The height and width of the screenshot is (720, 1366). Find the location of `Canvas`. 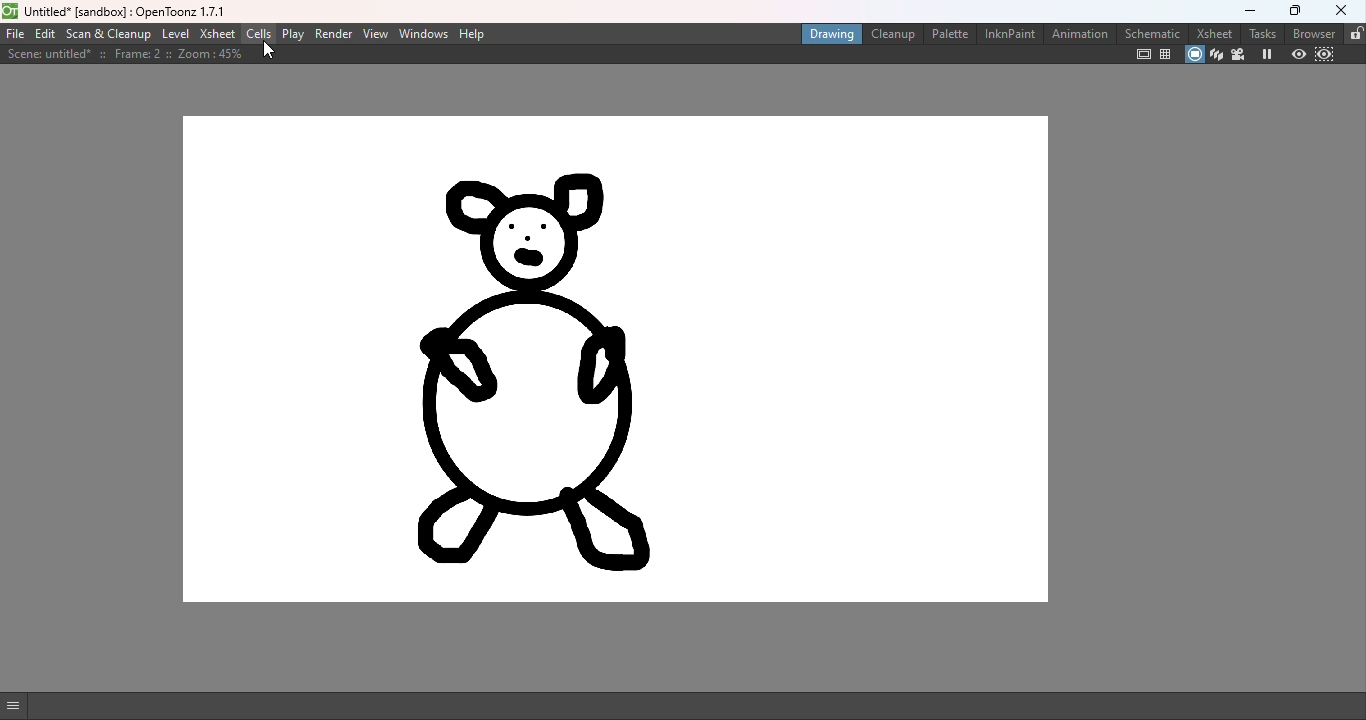

Canvas is located at coordinates (614, 366).